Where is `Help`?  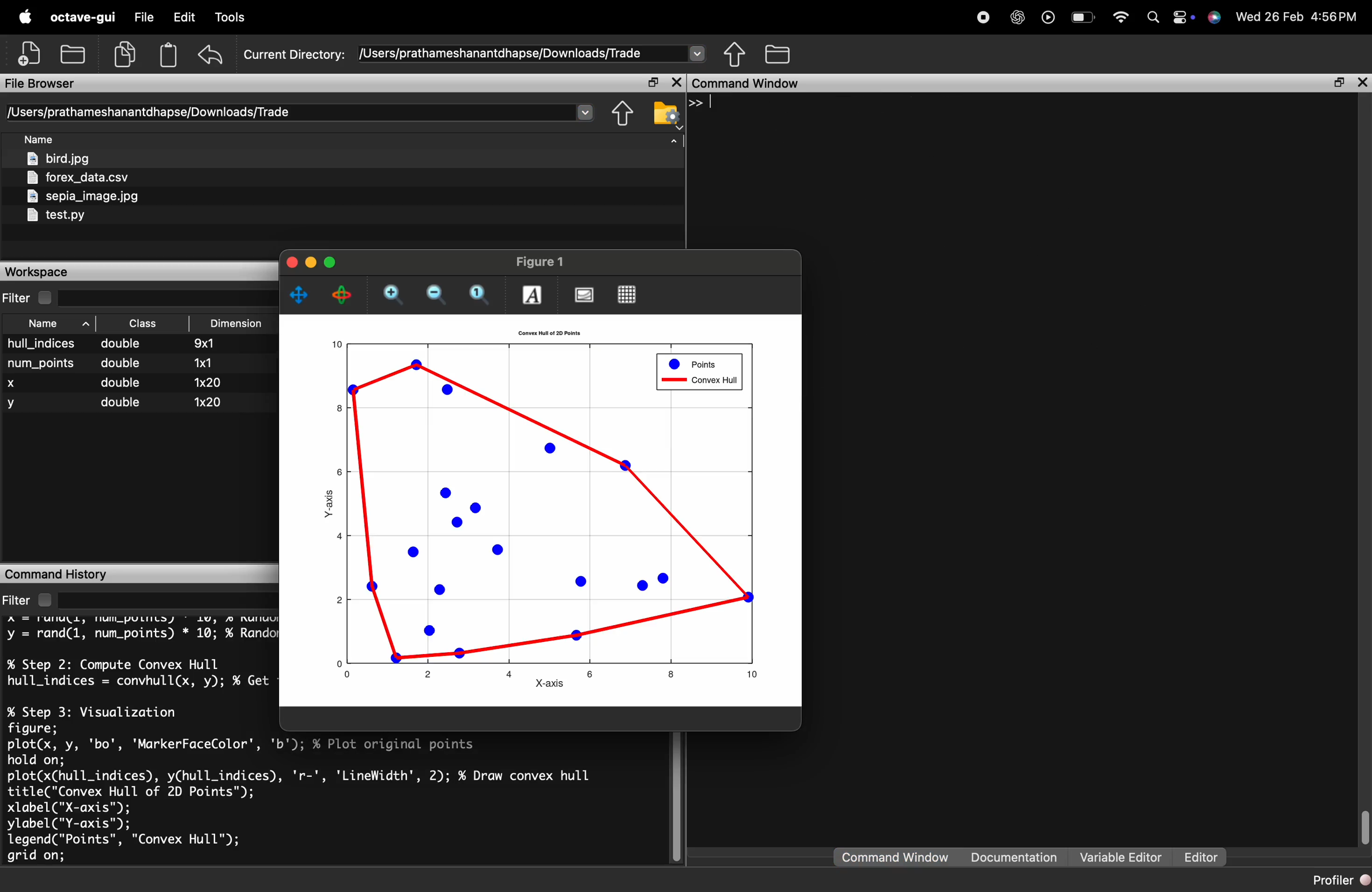 Help is located at coordinates (397, 16).